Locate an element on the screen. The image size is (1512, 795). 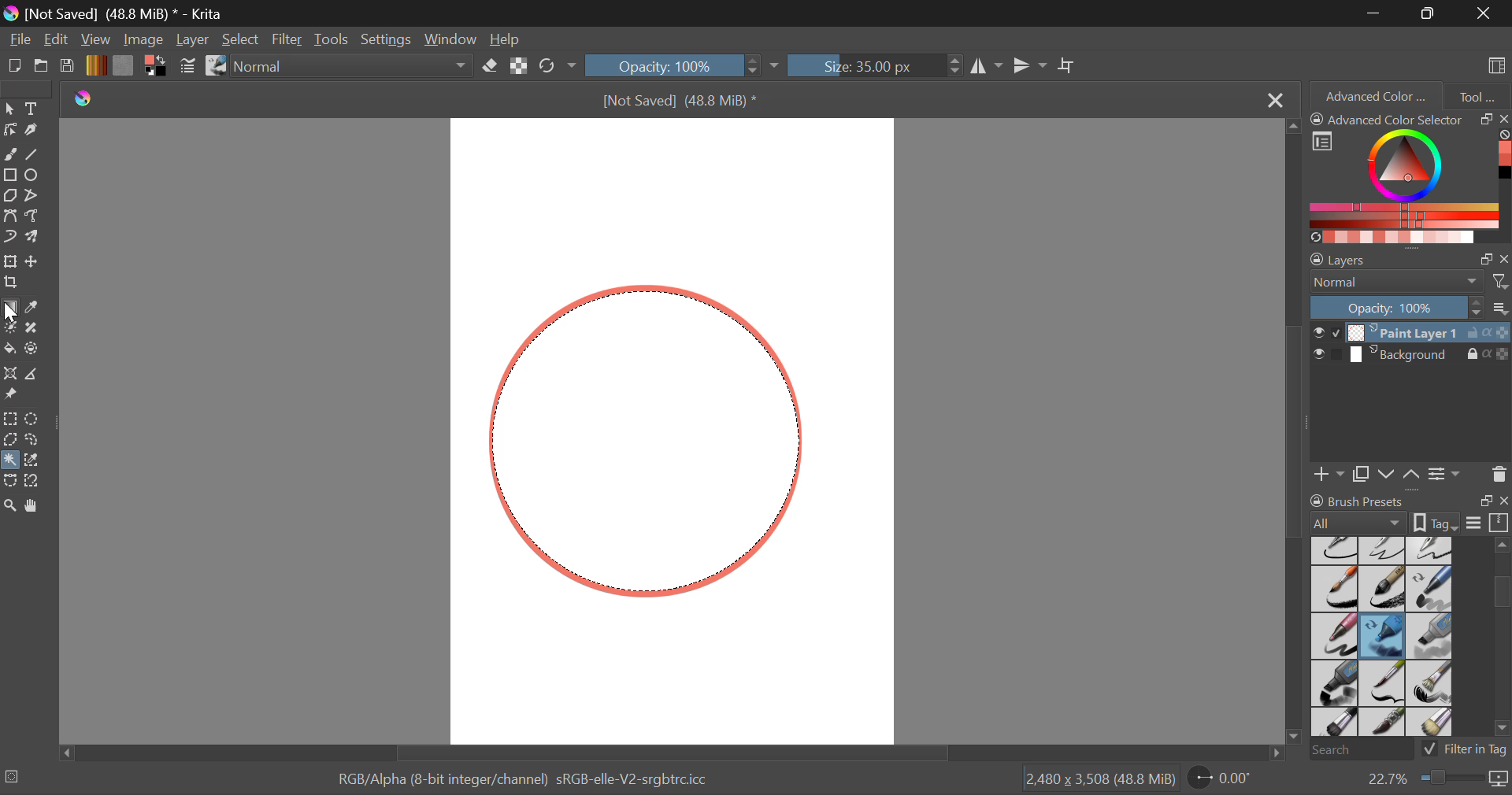
File is located at coordinates (20, 41).